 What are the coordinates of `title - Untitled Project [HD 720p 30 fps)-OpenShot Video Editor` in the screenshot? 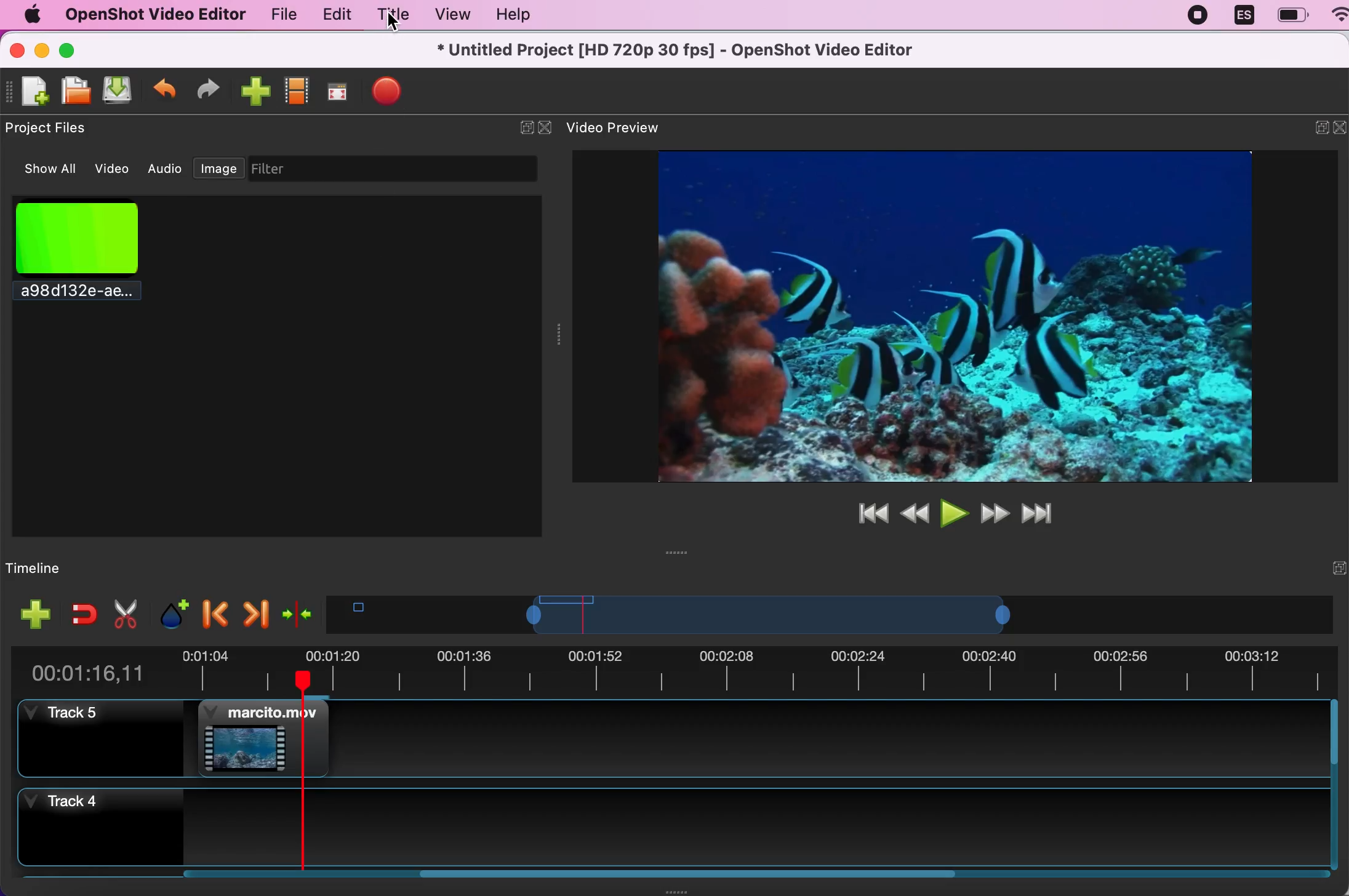 It's located at (677, 51).